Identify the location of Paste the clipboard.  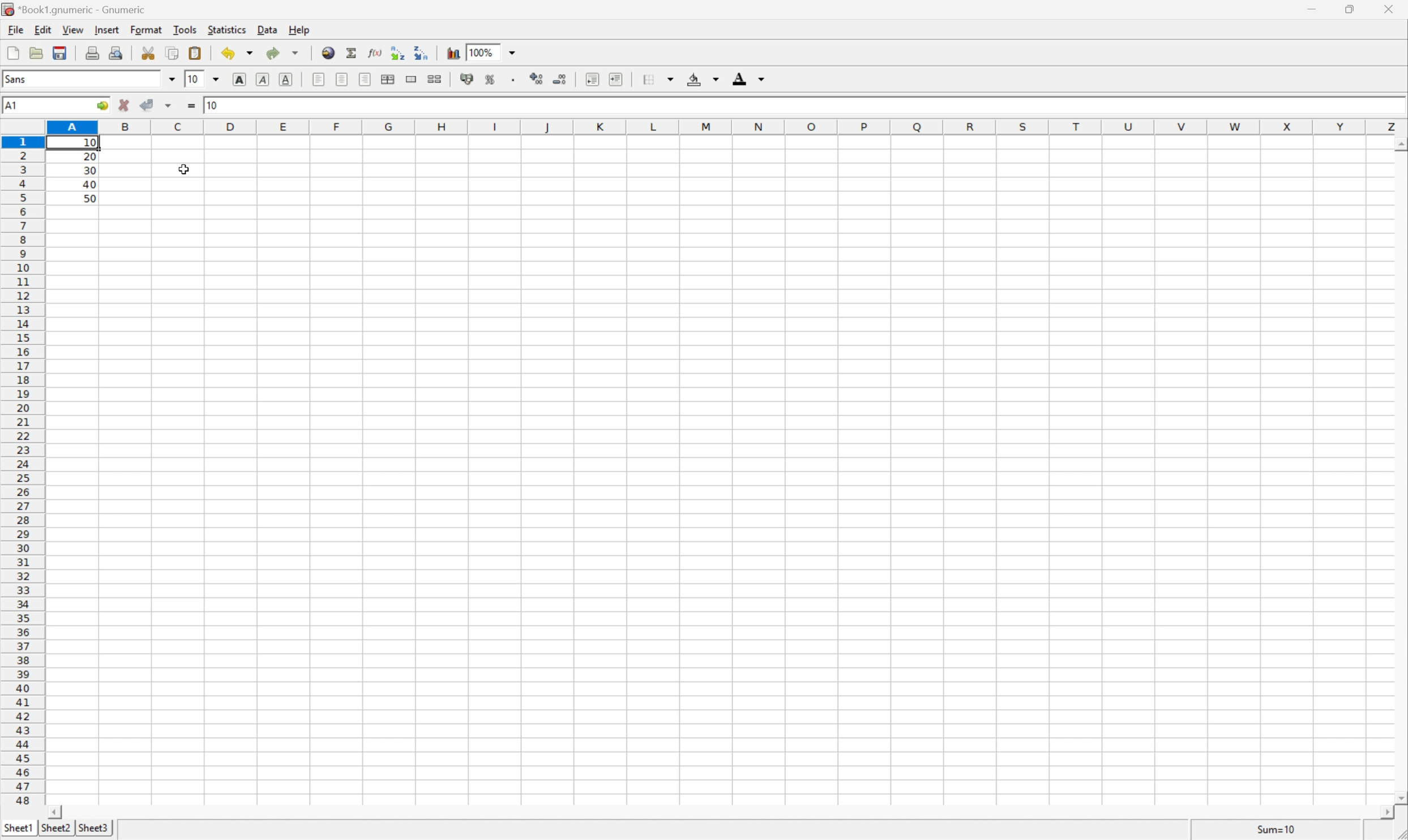
(195, 53).